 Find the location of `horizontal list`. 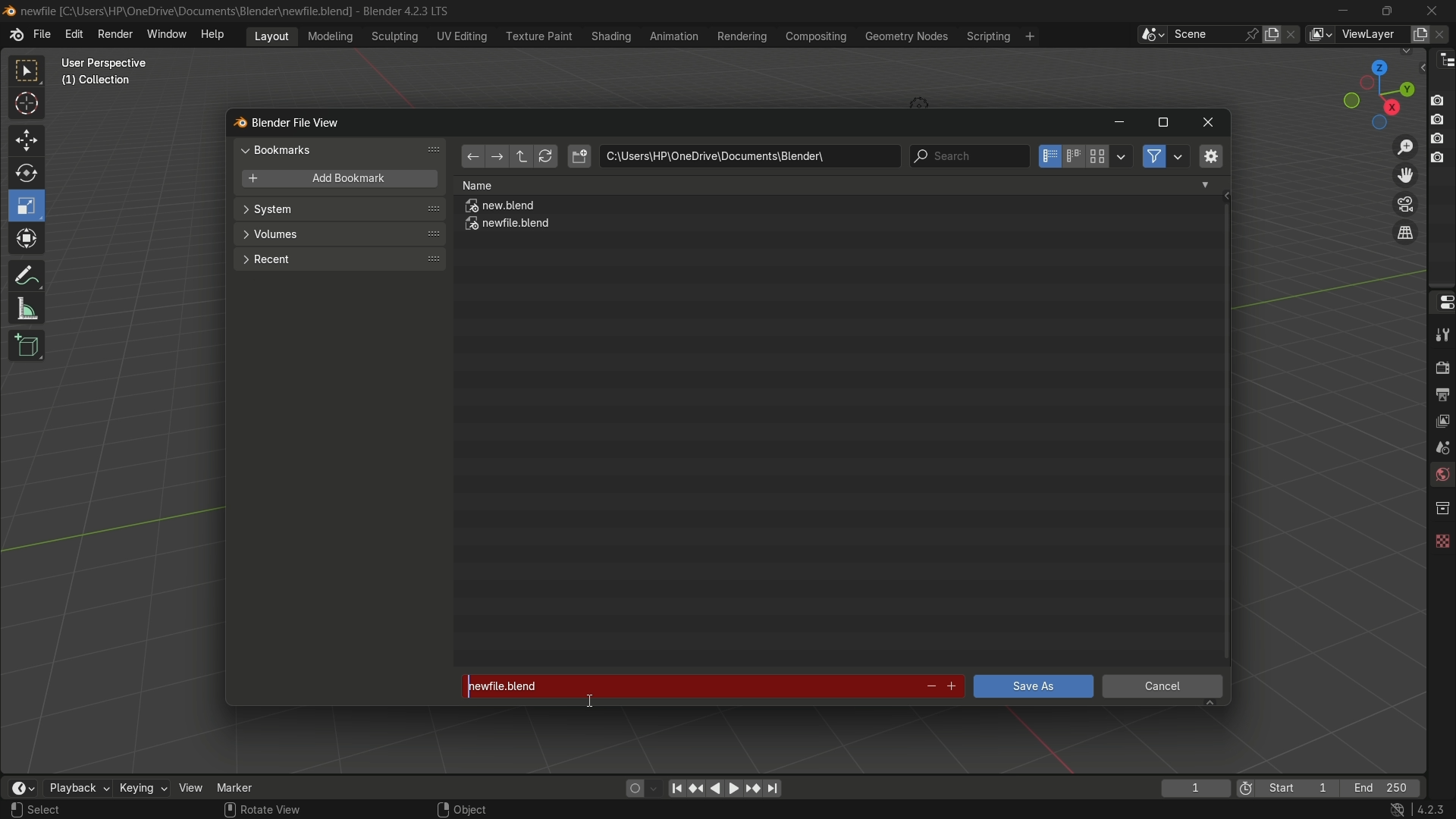

horizontal list is located at coordinates (1073, 156).